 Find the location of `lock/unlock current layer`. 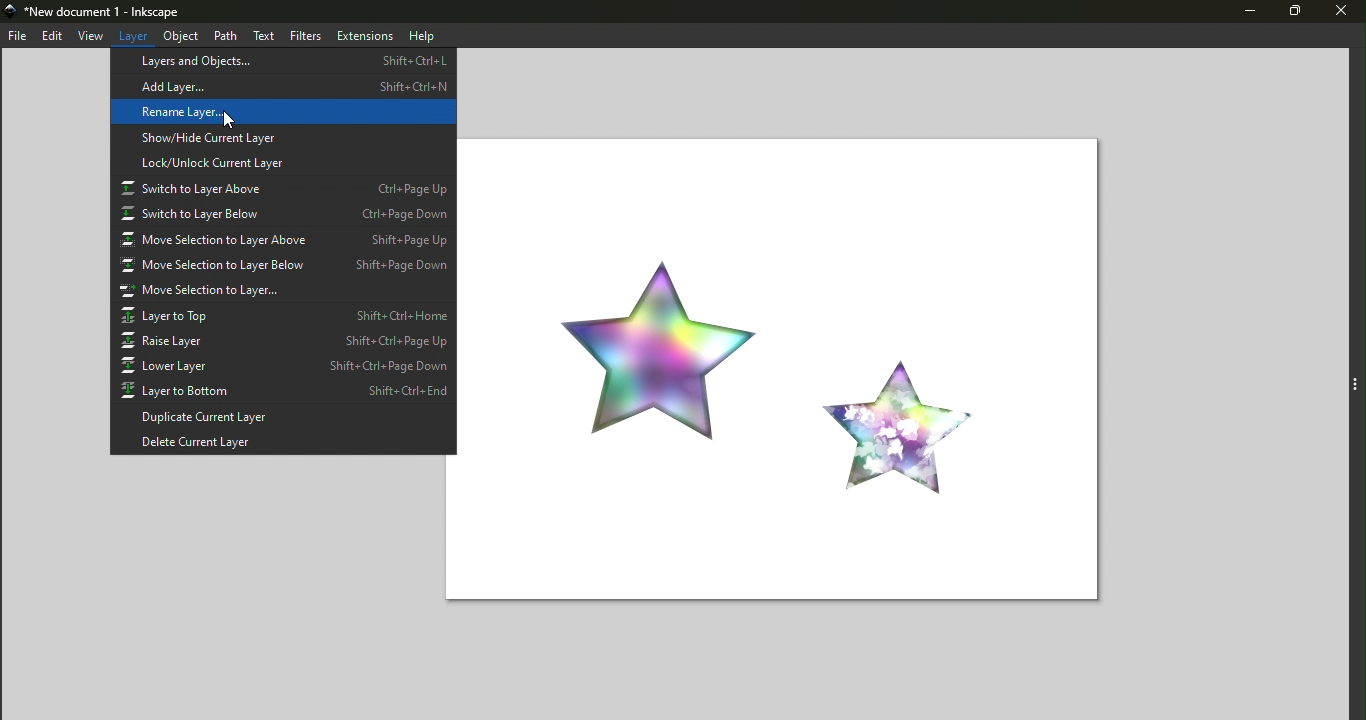

lock/unlock current layer is located at coordinates (282, 162).